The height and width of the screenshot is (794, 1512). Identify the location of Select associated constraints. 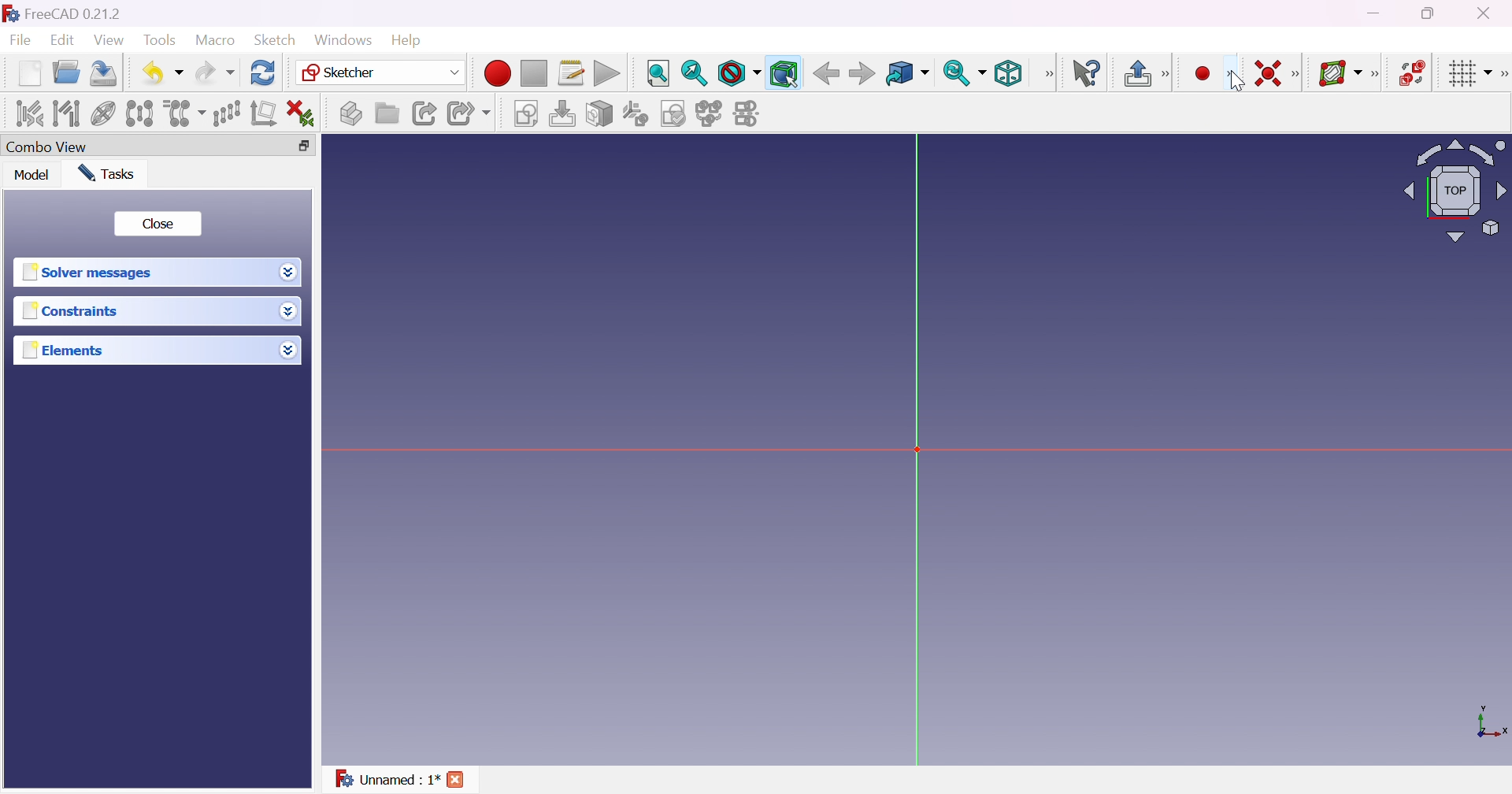
(29, 113).